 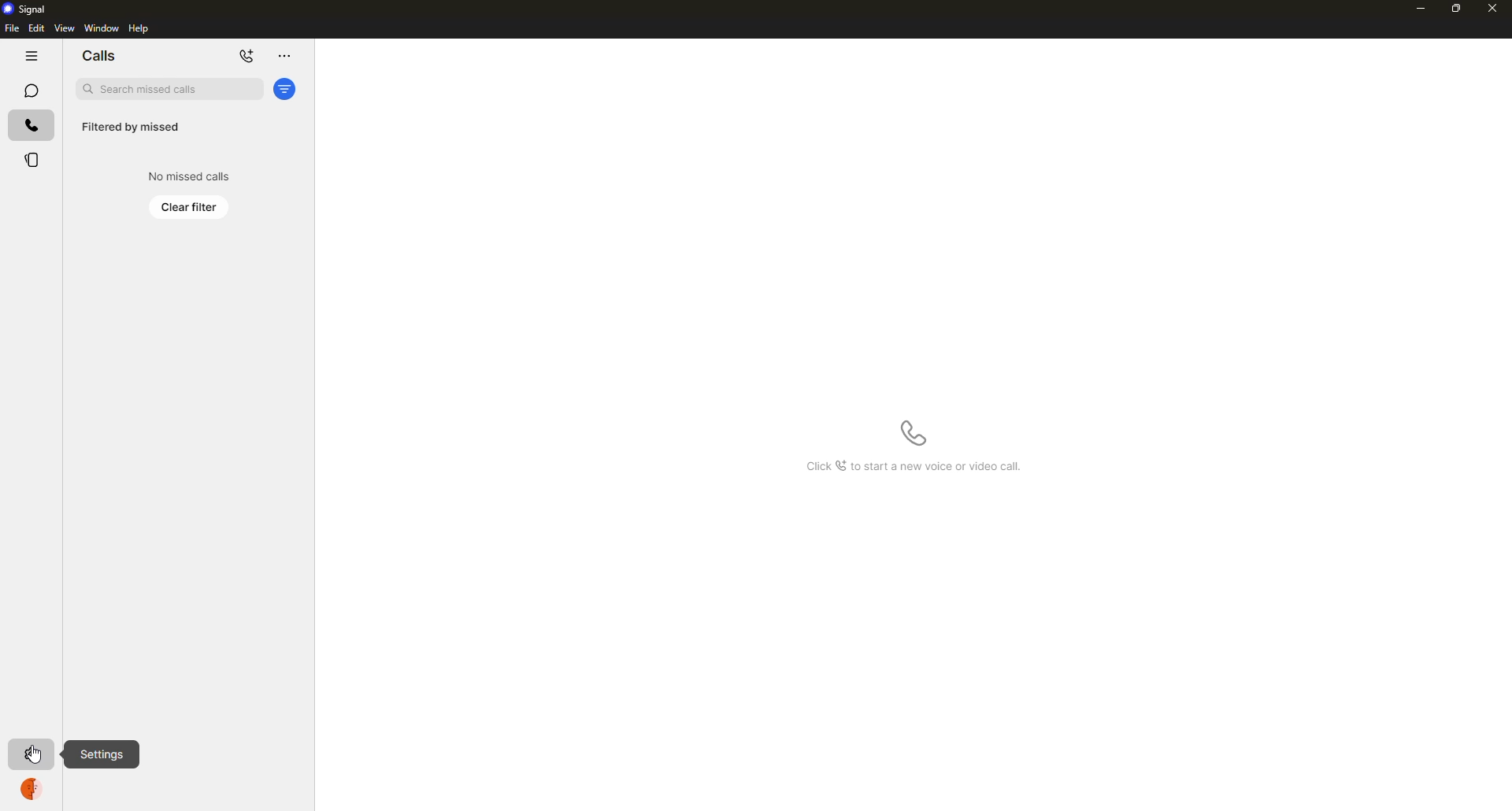 What do you see at coordinates (1420, 9) in the screenshot?
I see `minimize` at bounding box center [1420, 9].